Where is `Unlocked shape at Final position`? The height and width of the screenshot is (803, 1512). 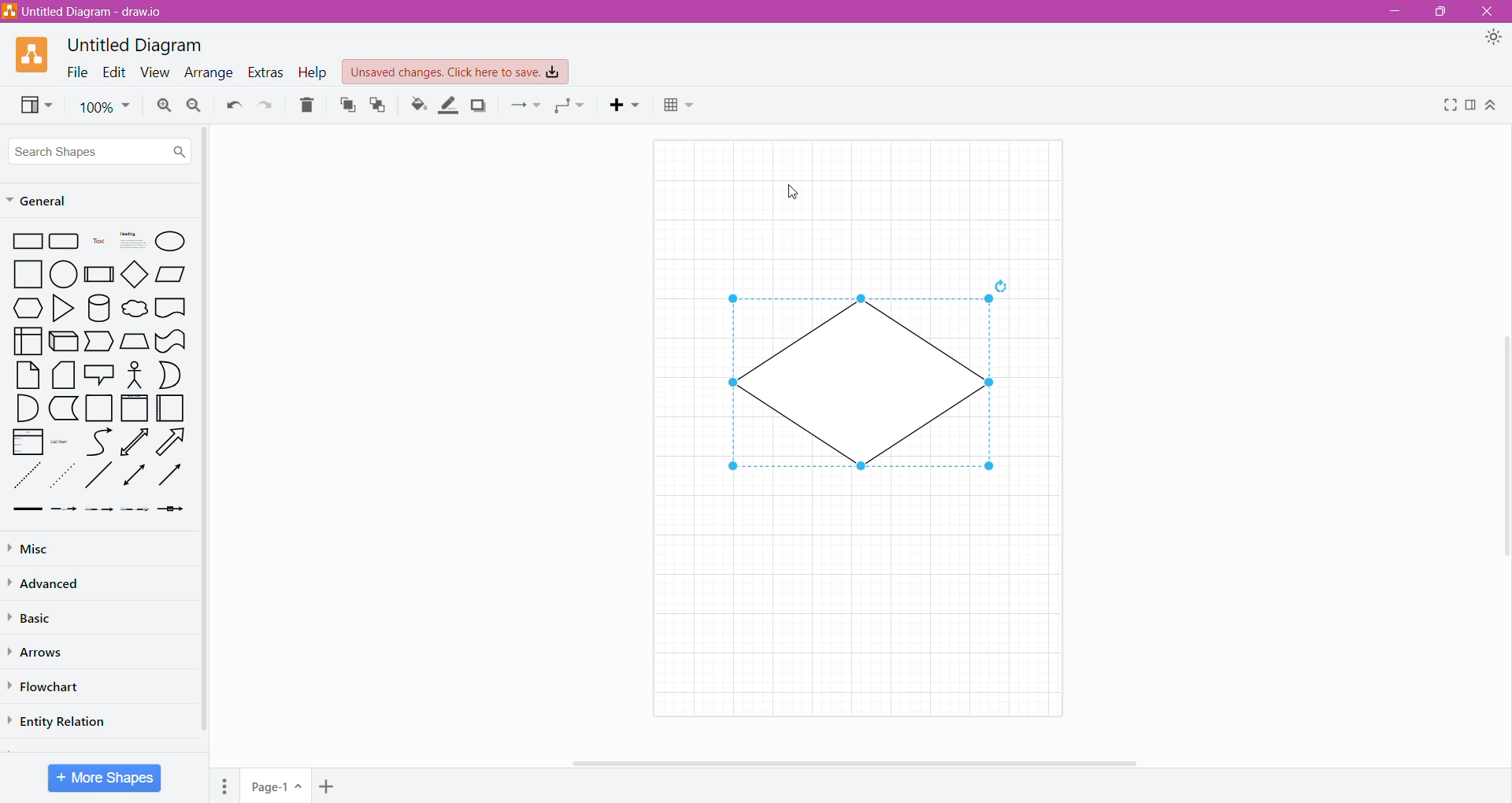
Unlocked shape at Final position is located at coordinates (860, 384).